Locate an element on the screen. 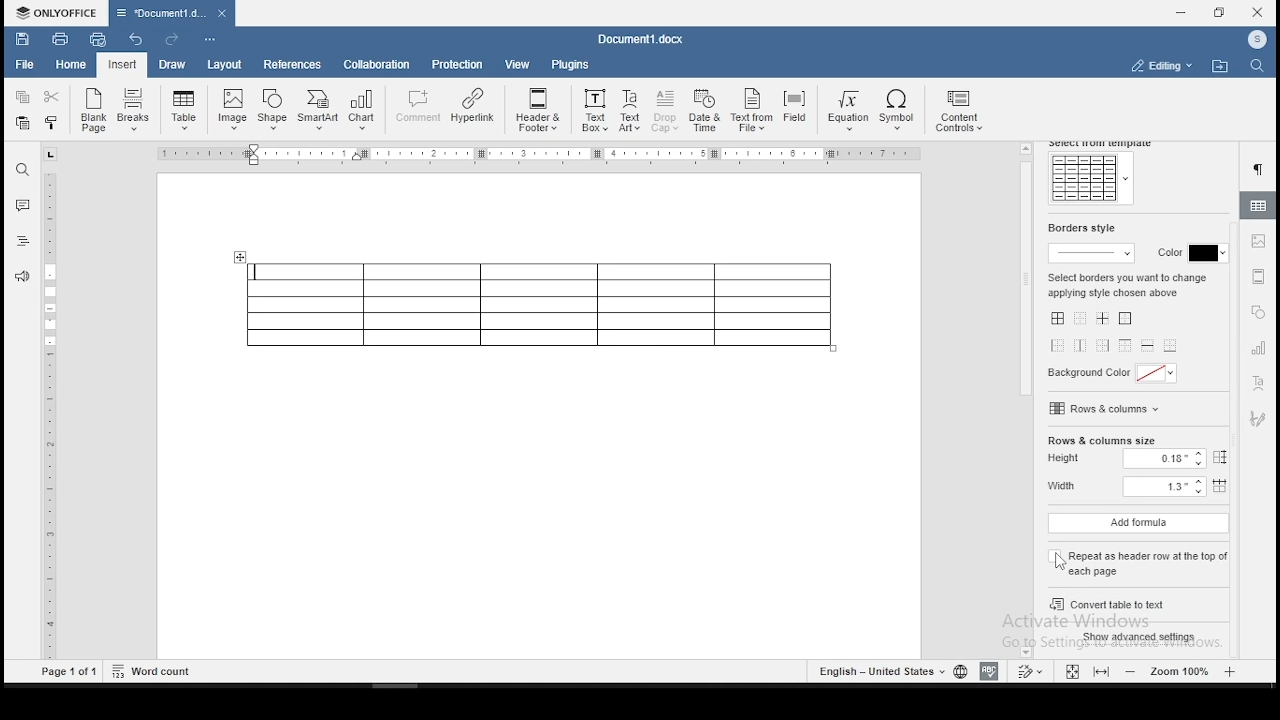  convert table text is located at coordinates (1135, 601).